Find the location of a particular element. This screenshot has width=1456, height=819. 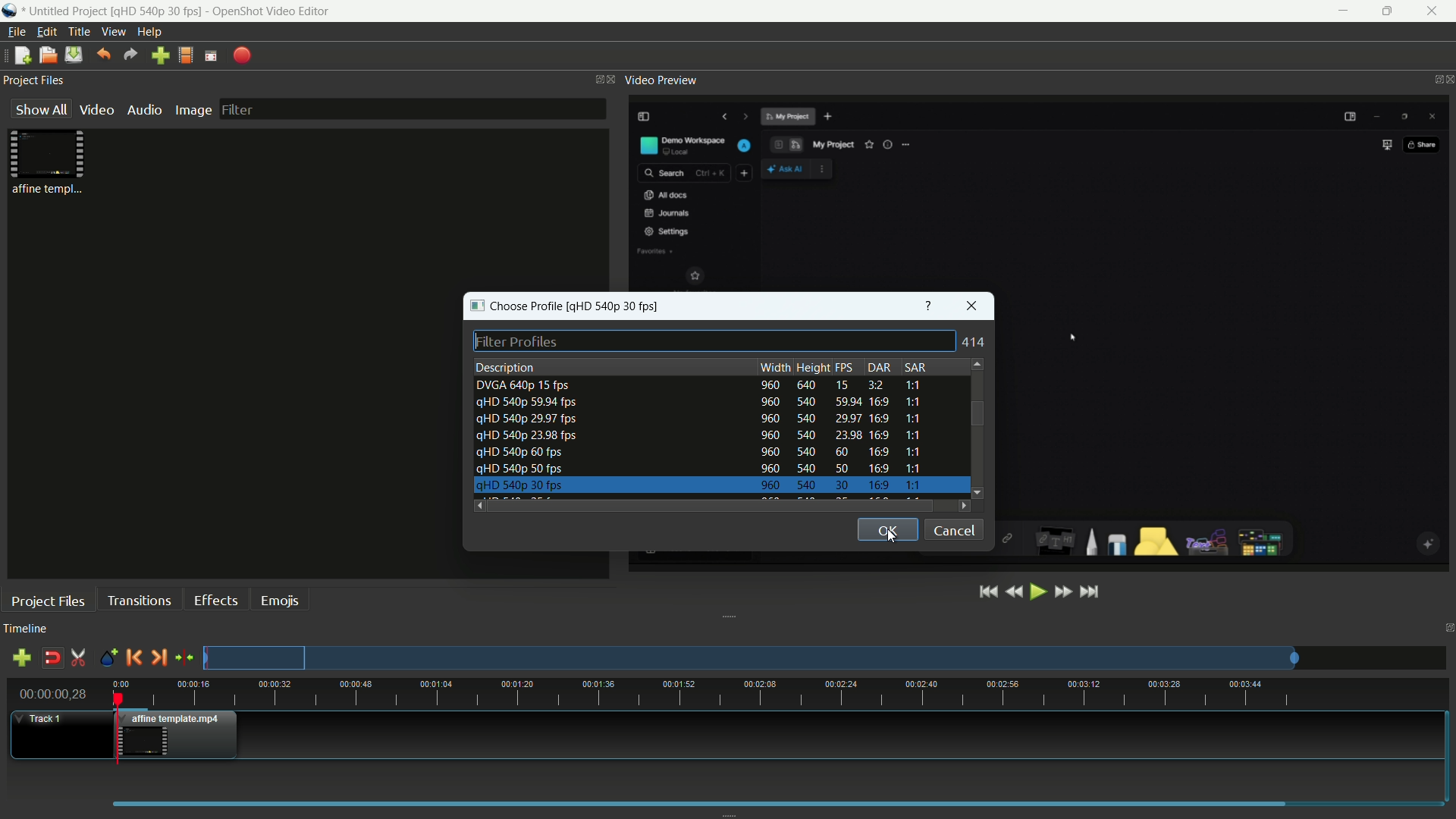

choose profile is located at coordinates (517, 306).